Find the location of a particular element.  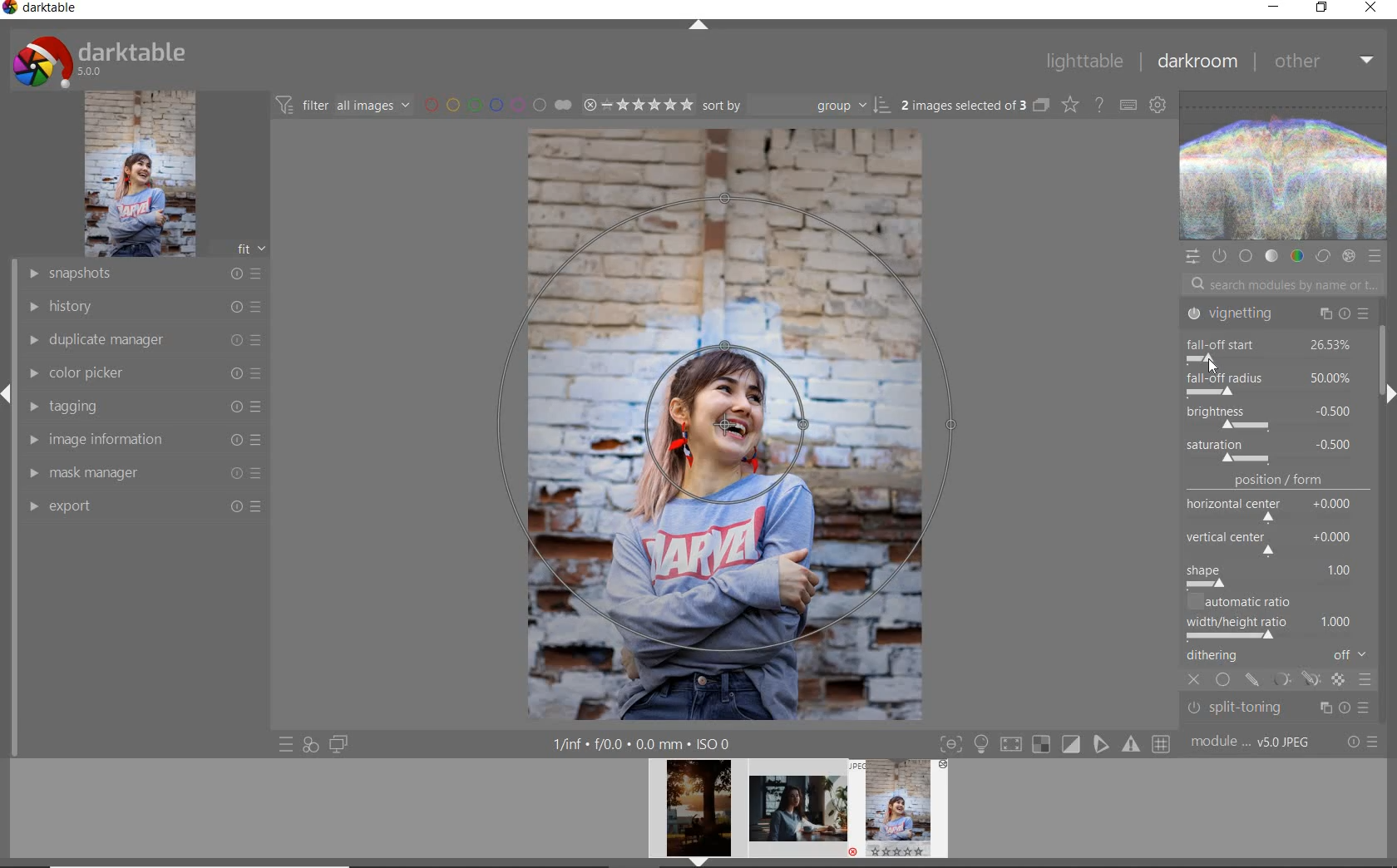

brightness is located at coordinates (1270, 416).